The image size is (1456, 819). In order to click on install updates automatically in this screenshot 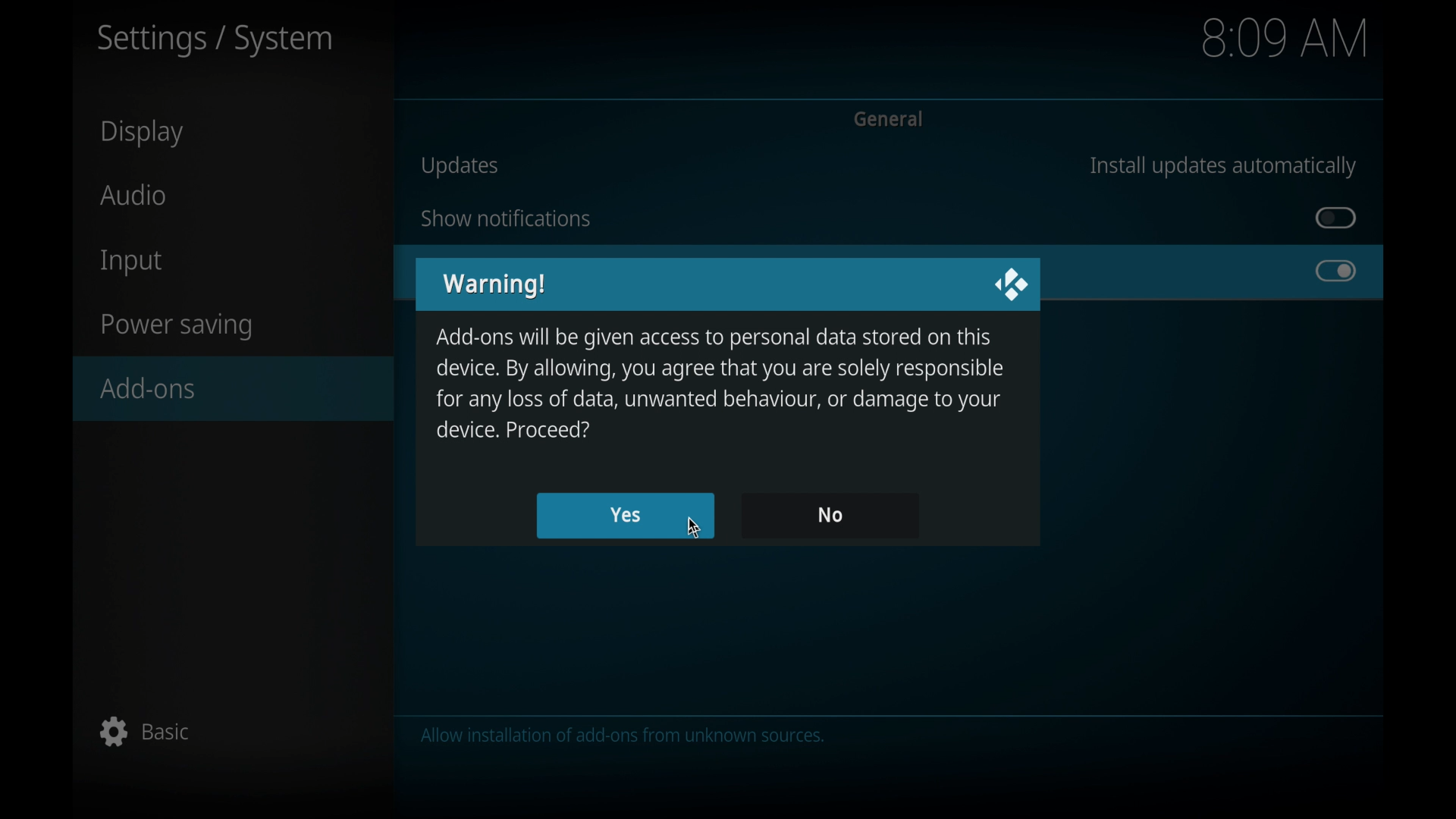, I will do `click(1222, 166)`.